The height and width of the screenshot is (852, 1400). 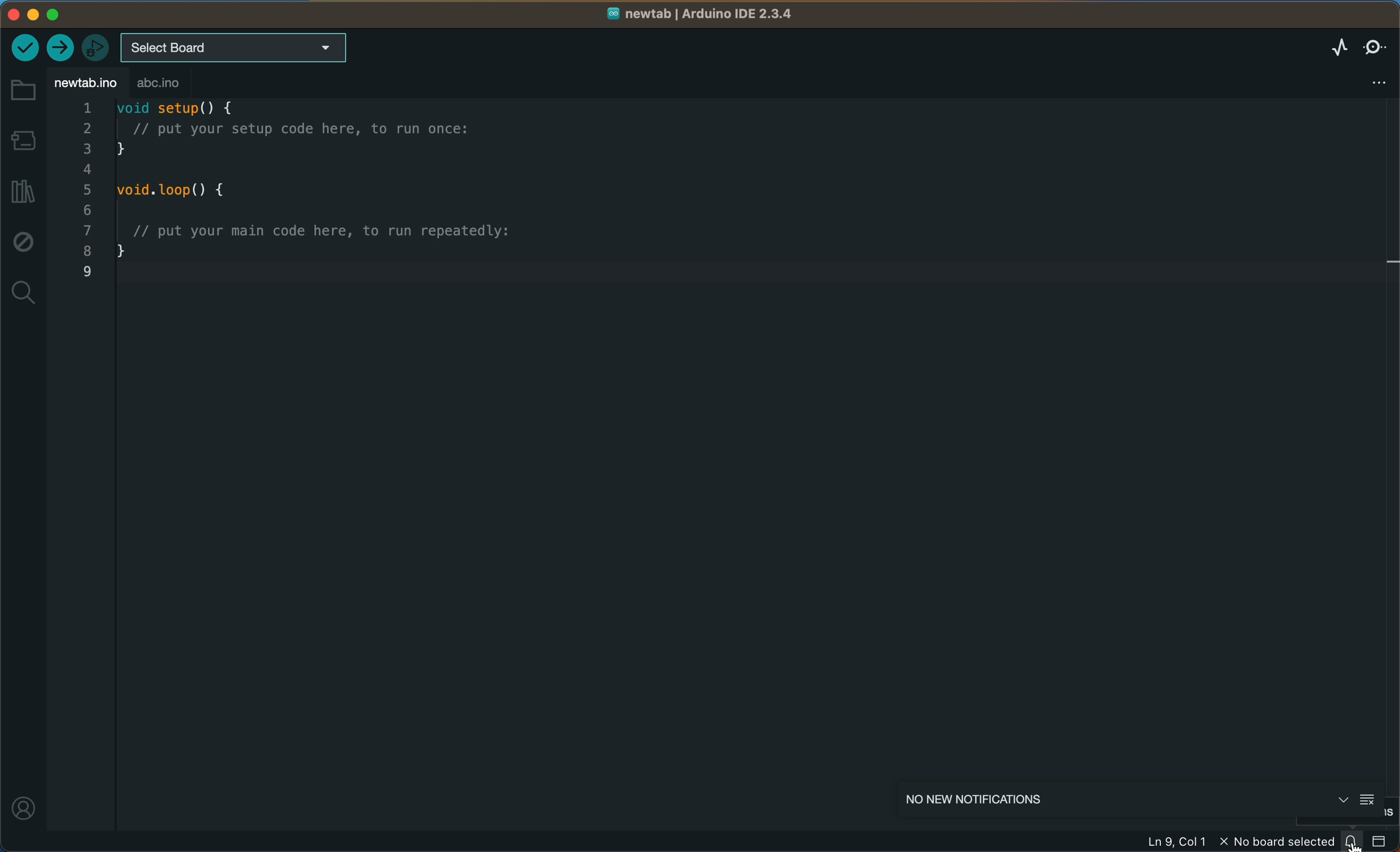 I want to click on clear, so click(x=1369, y=799).